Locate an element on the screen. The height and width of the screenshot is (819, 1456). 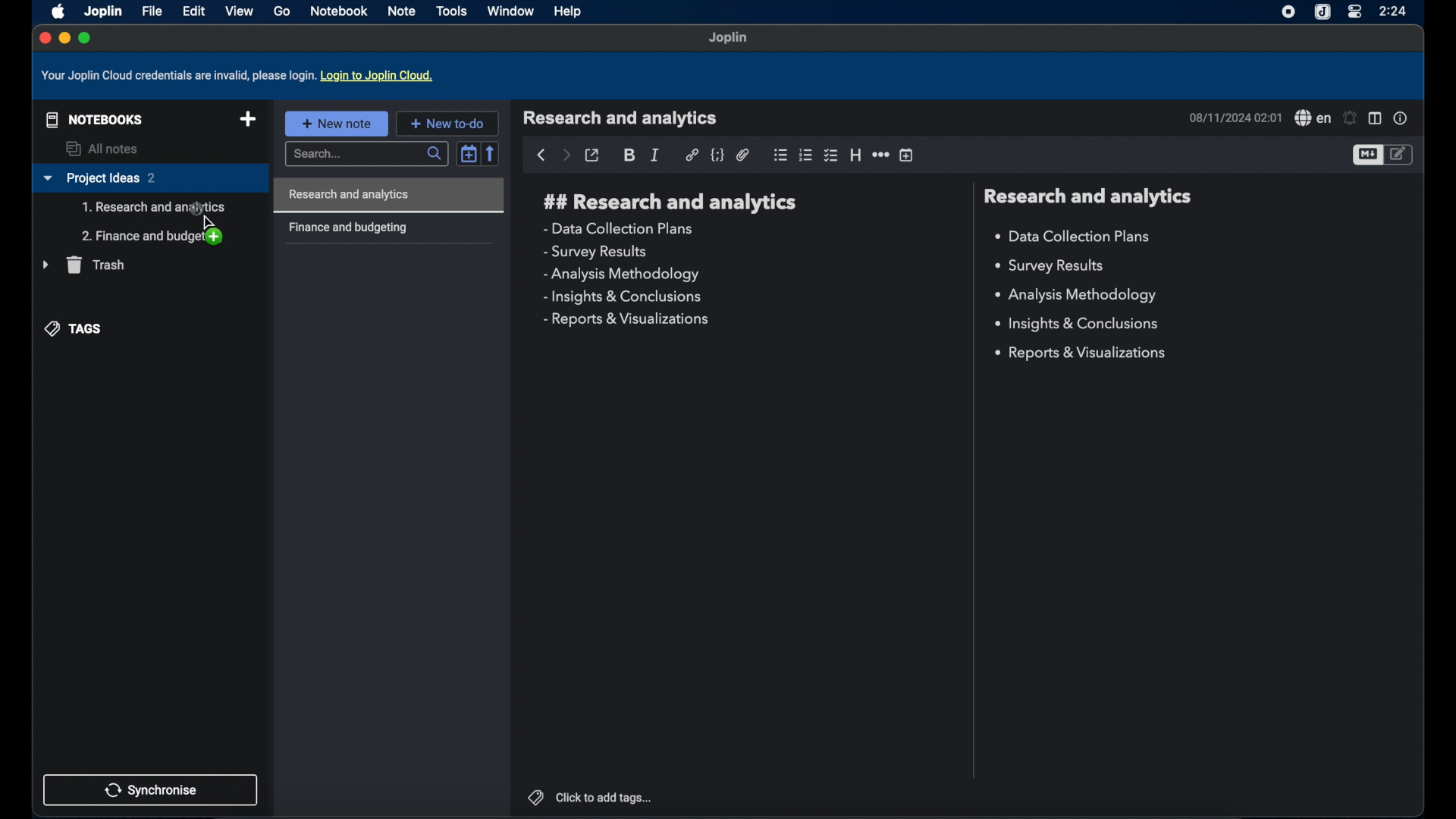
control center is located at coordinates (1354, 12).